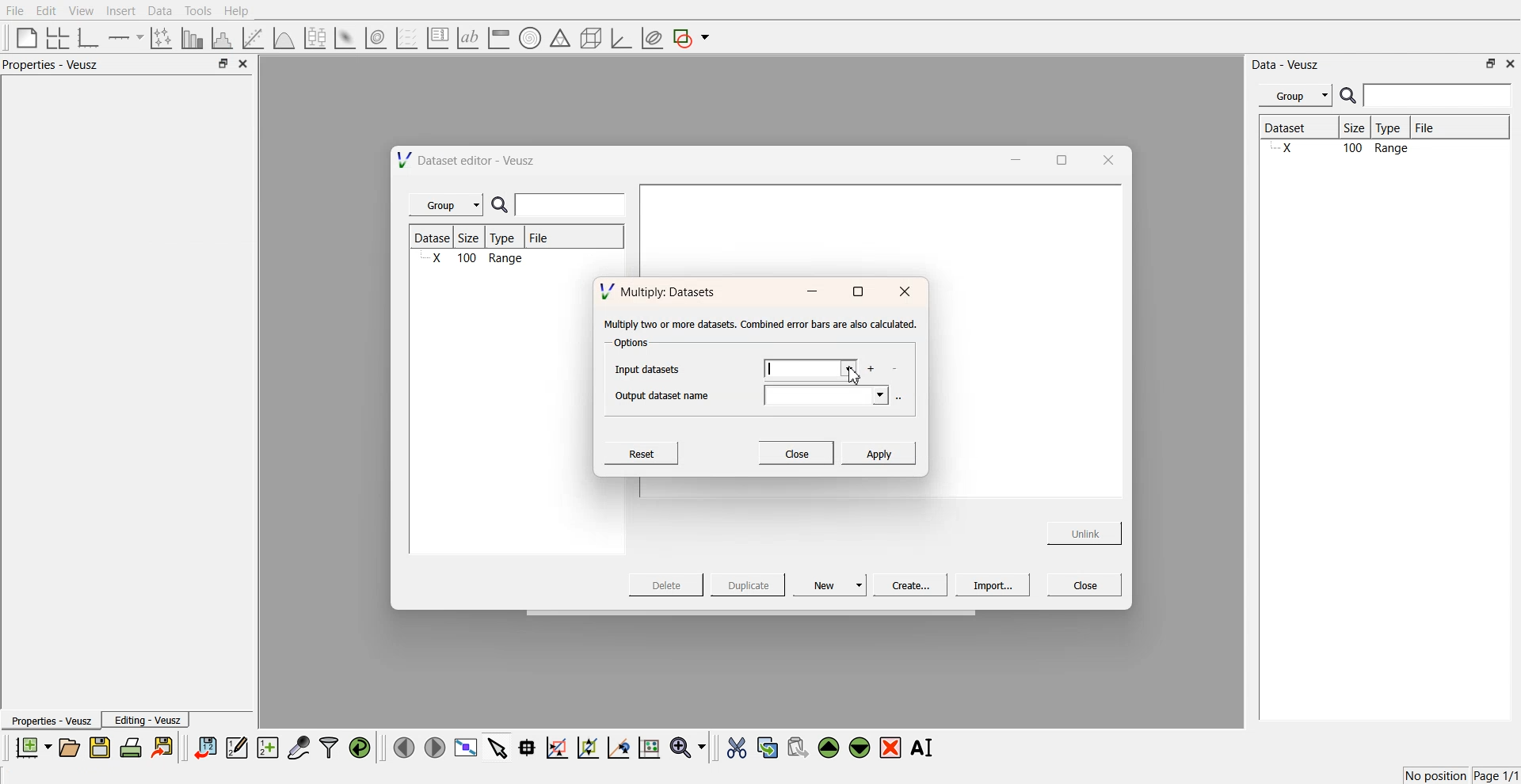 The height and width of the screenshot is (784, 1521). Describe the element at coordinates (668, 584) in the screenshot. I see `Delete` at that location.